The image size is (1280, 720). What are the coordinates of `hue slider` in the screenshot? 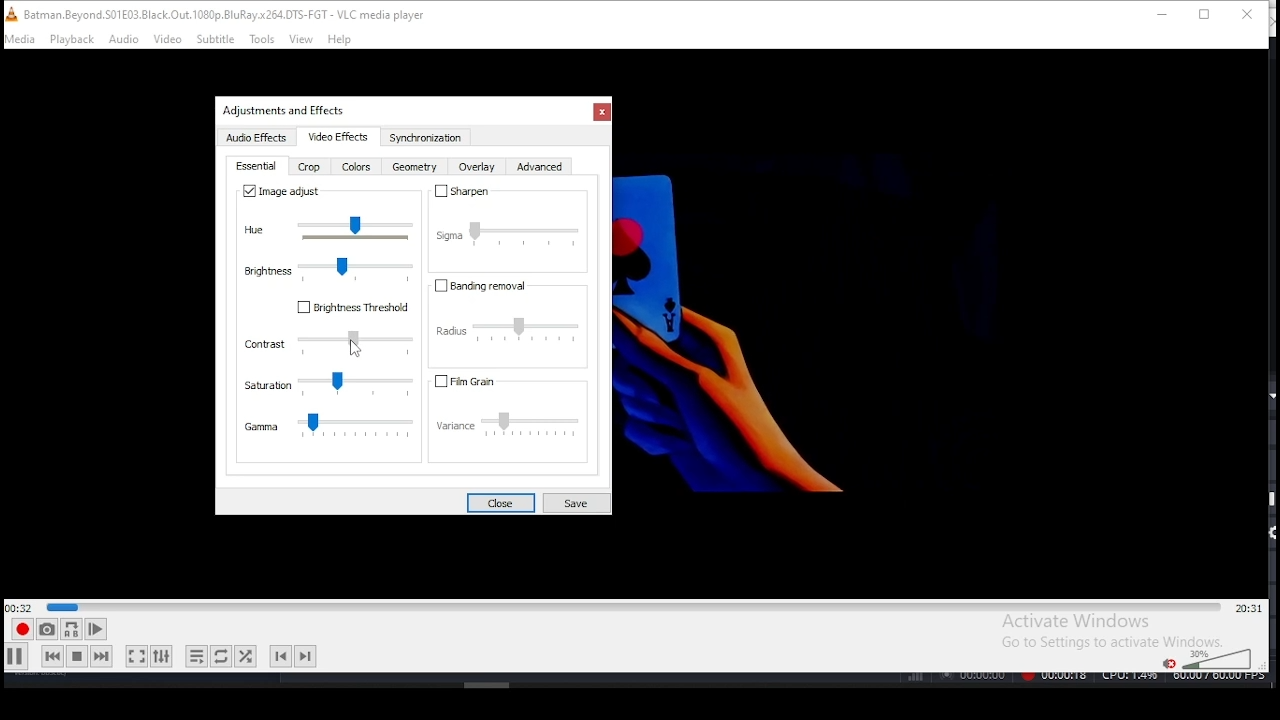 It's located at (331, 228).